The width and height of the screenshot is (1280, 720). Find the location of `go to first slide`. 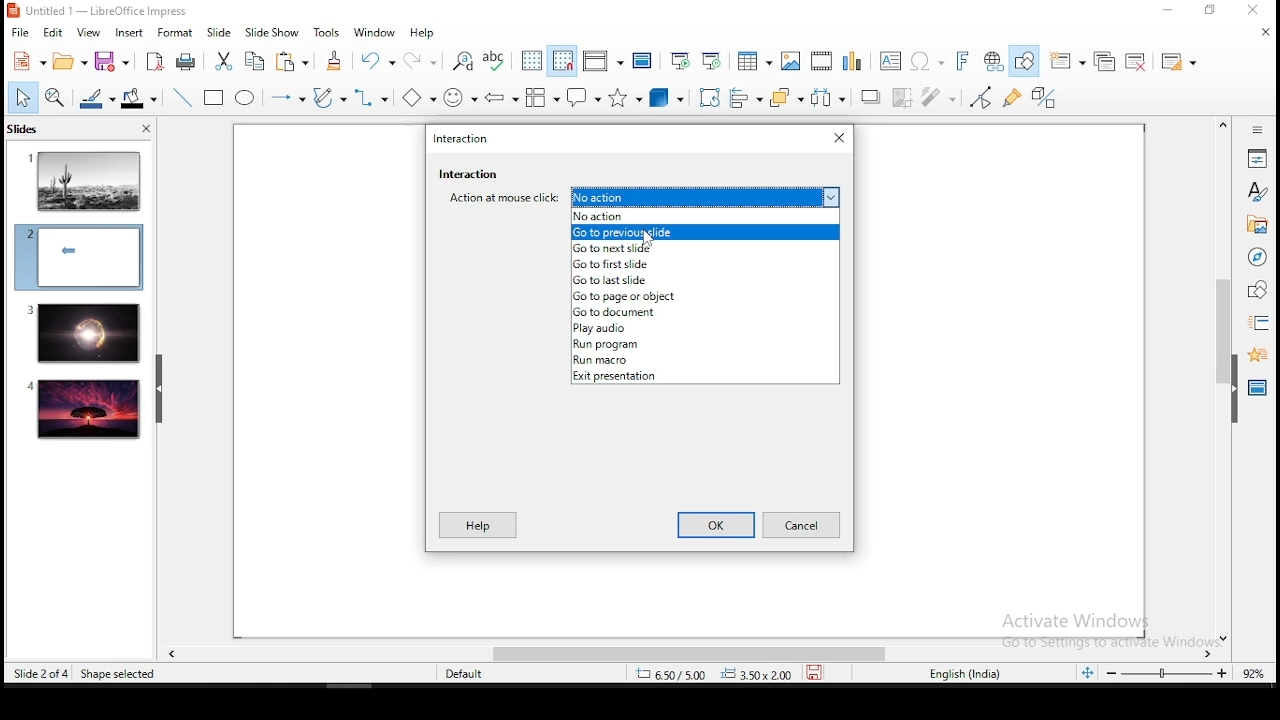

go to first slide is located at coordinates (706, 266).